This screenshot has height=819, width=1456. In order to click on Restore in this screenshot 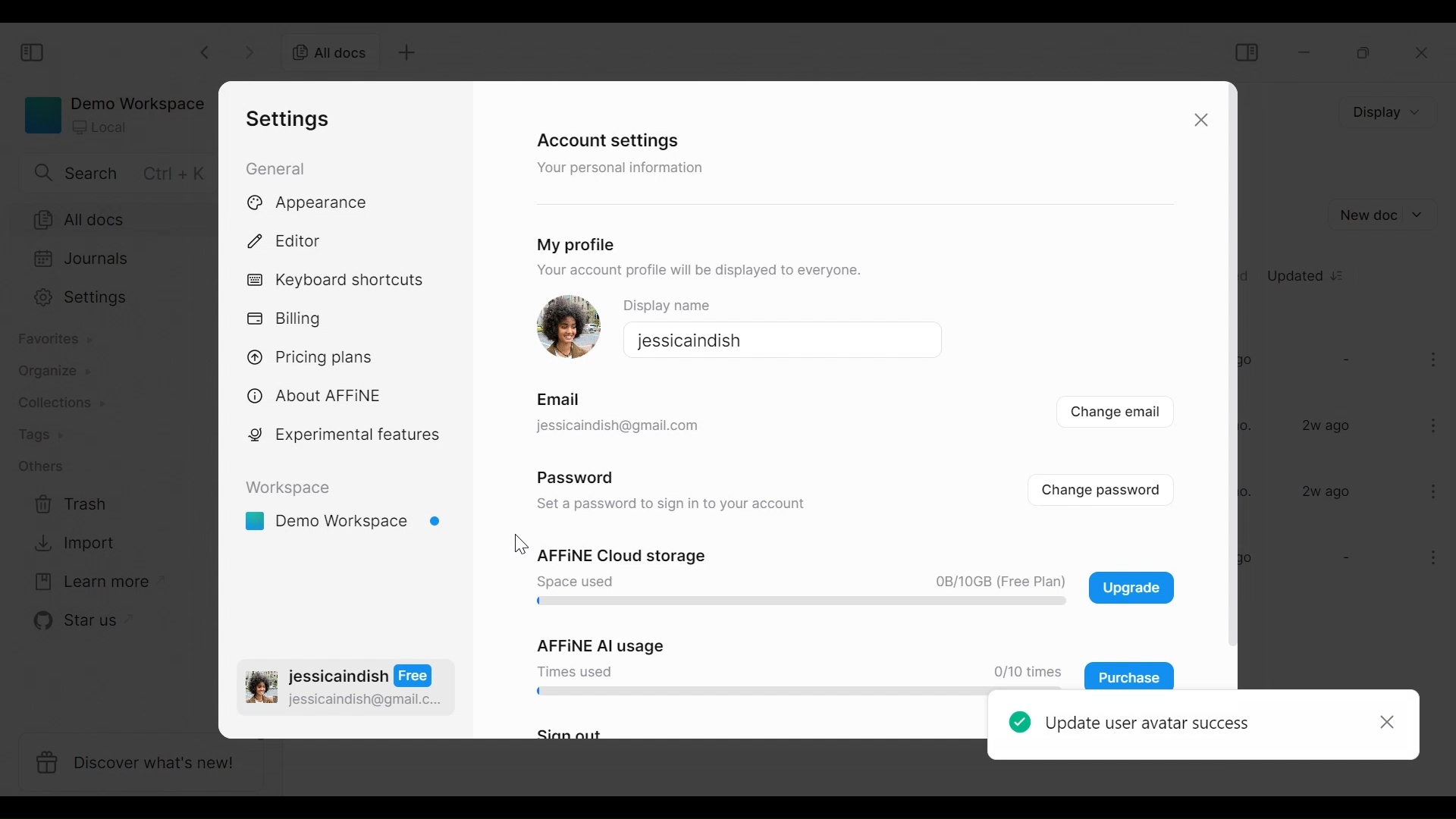, I will do `click(1362, 53)`.